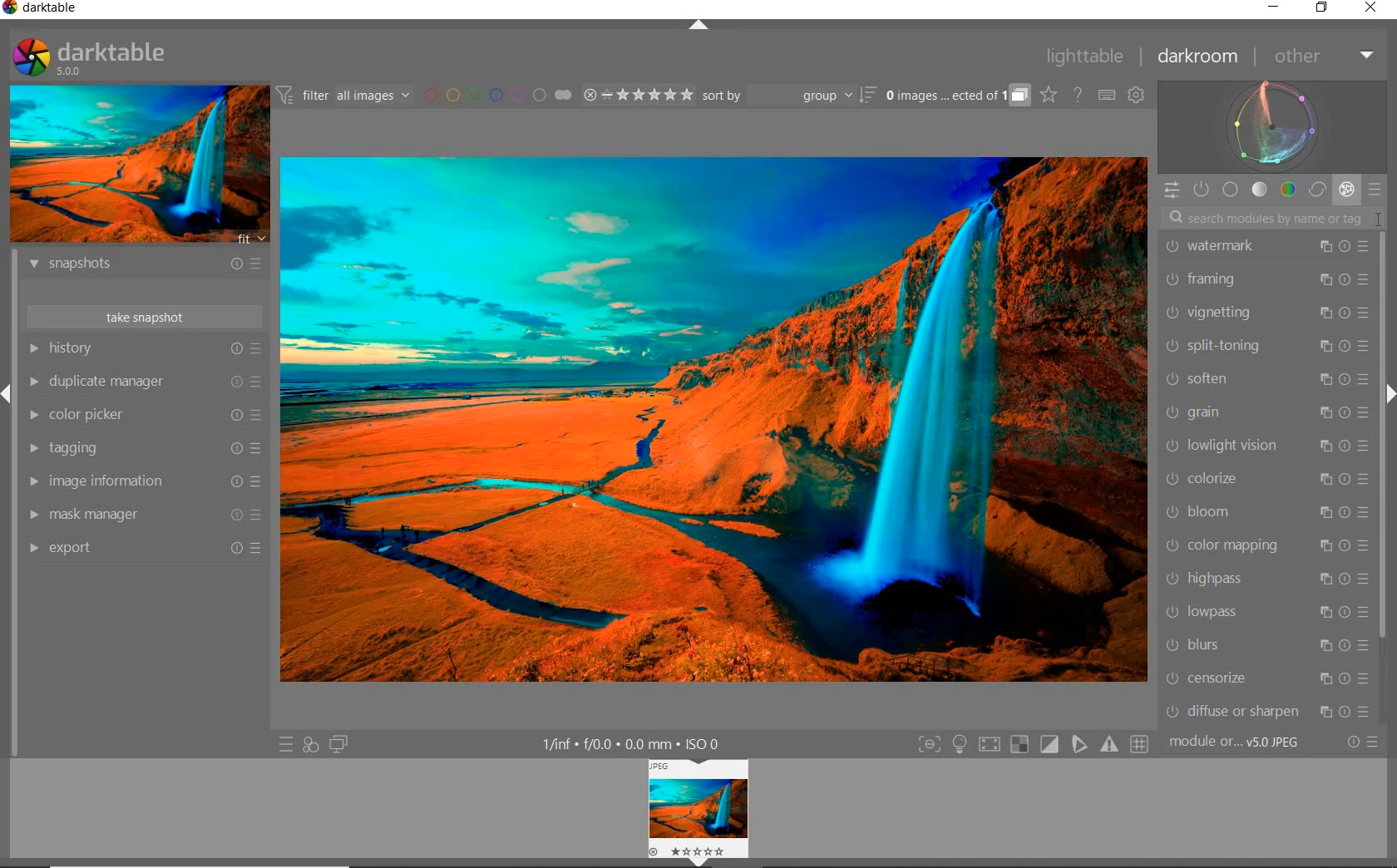  Describe the element at coordinates (1266, 446) in the screenshot. I see `lowlight vision` at that location.